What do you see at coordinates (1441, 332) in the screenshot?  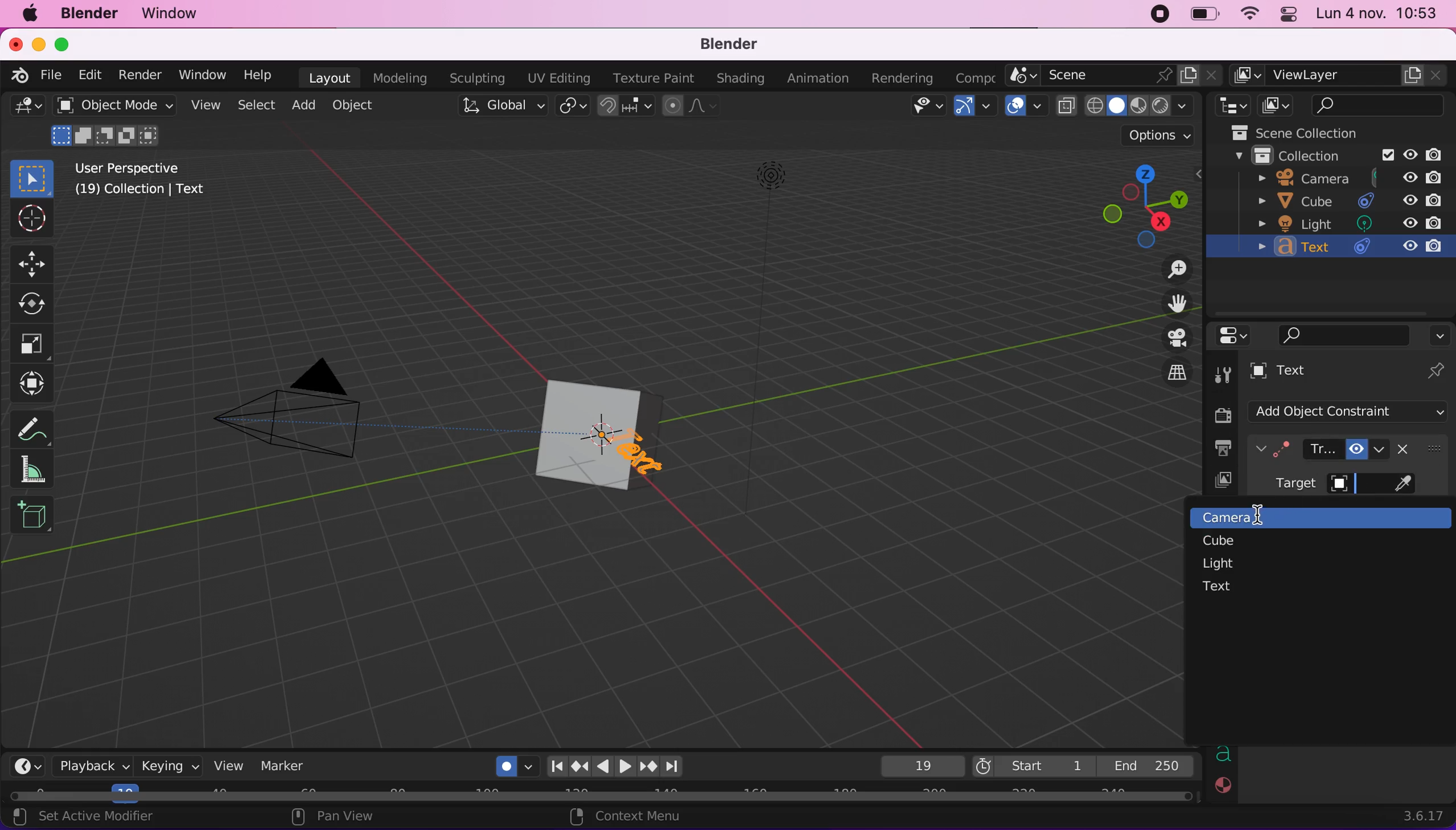 I see `options` at bounding box center [1441, 332].